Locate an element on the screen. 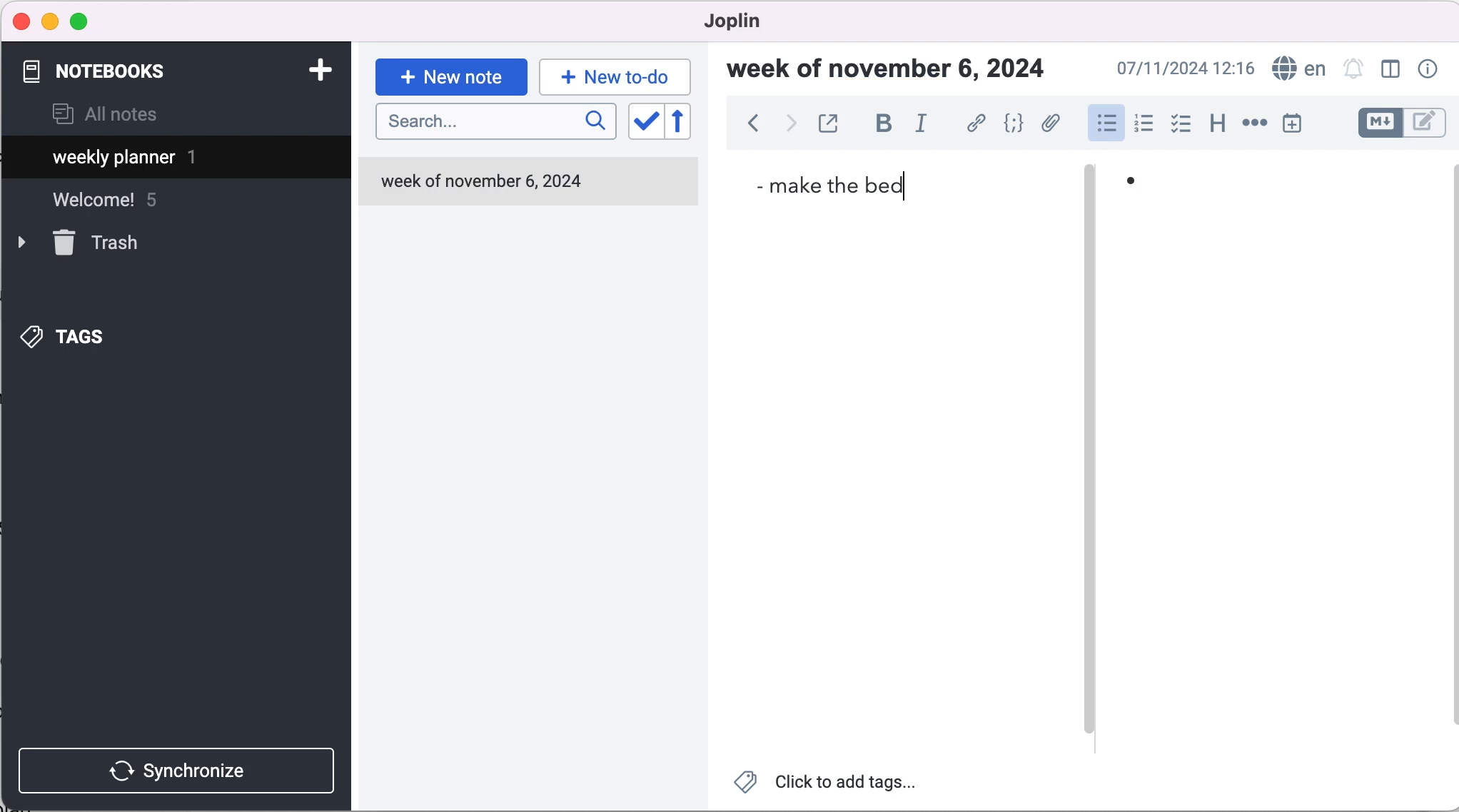 Image resolution: width=1459 pixels, height=812 pixels. toggle external editing is located at coordinates (830, 125).